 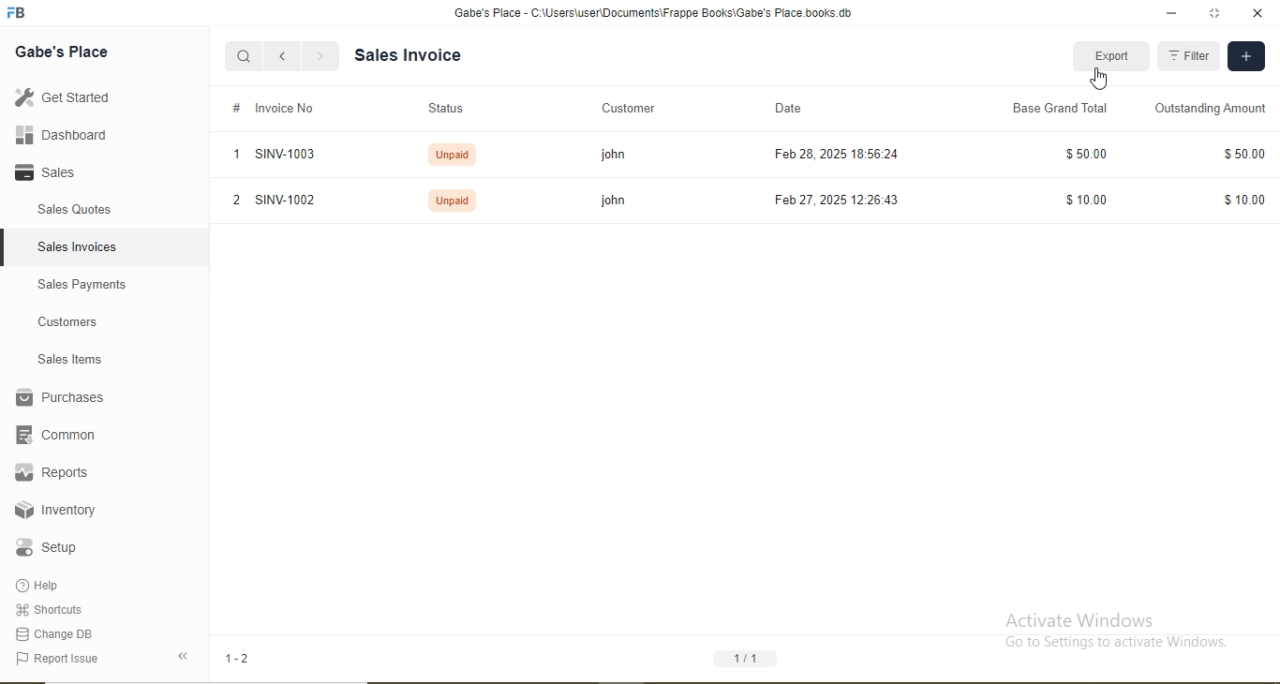 What do you see at coordinates (75, 360) in the screenshot?
I see `Sales Items` at bounding box center [75, 360].